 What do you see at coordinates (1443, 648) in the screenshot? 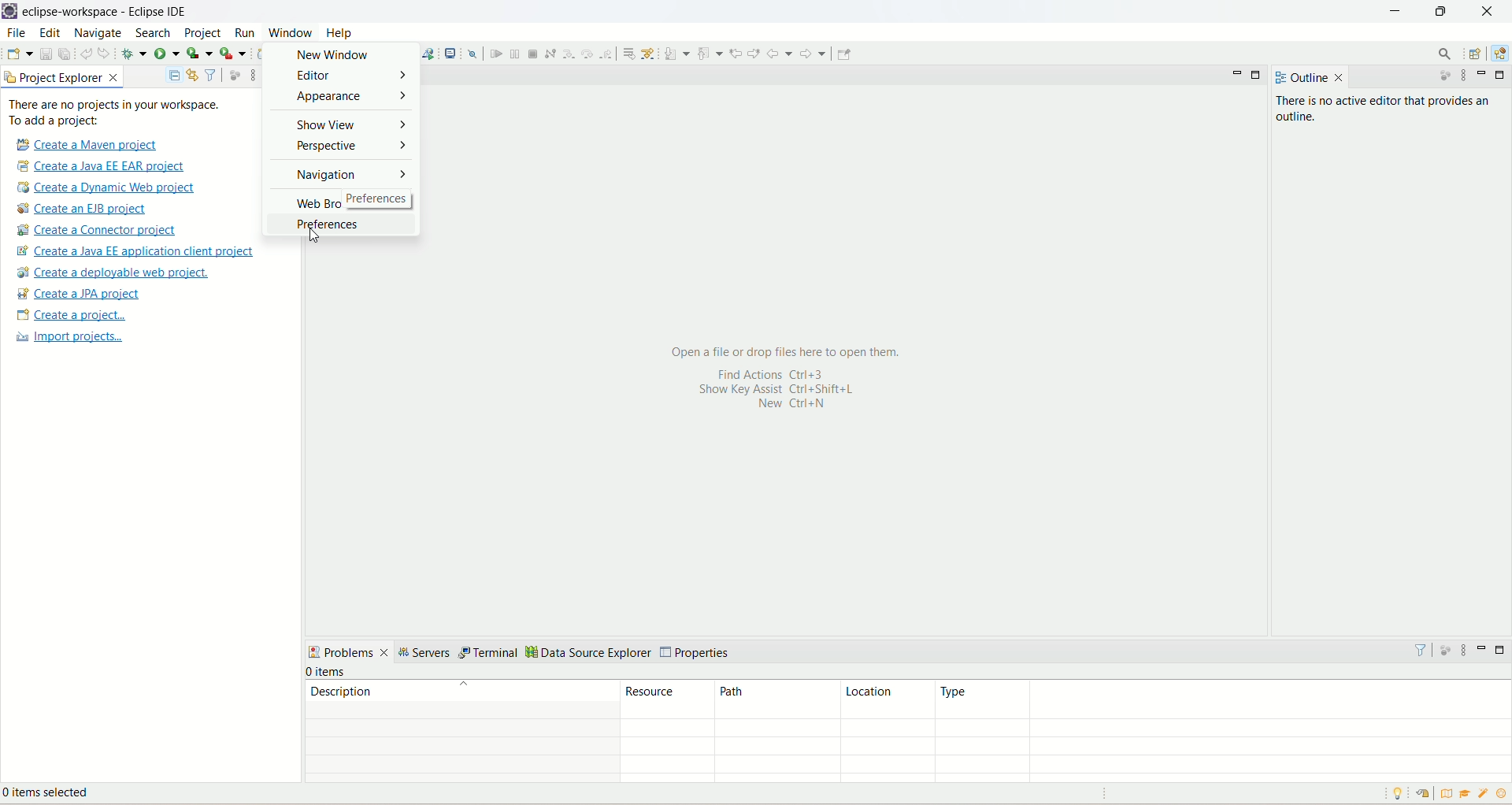
I see `focus on active task` at bounding box center [1443, 648].